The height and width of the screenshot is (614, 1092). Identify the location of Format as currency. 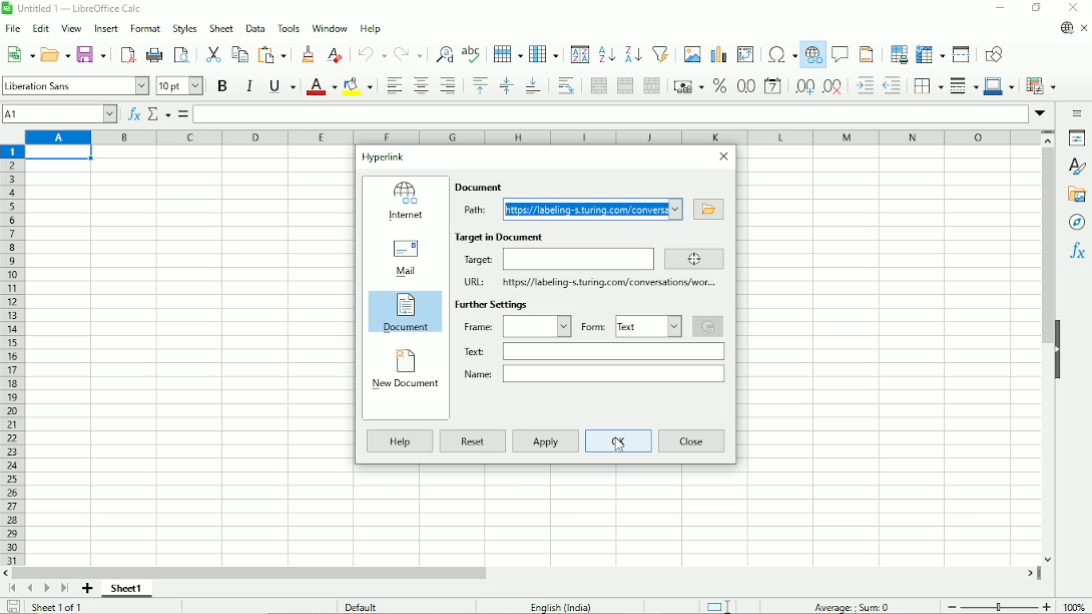
(688, 86).